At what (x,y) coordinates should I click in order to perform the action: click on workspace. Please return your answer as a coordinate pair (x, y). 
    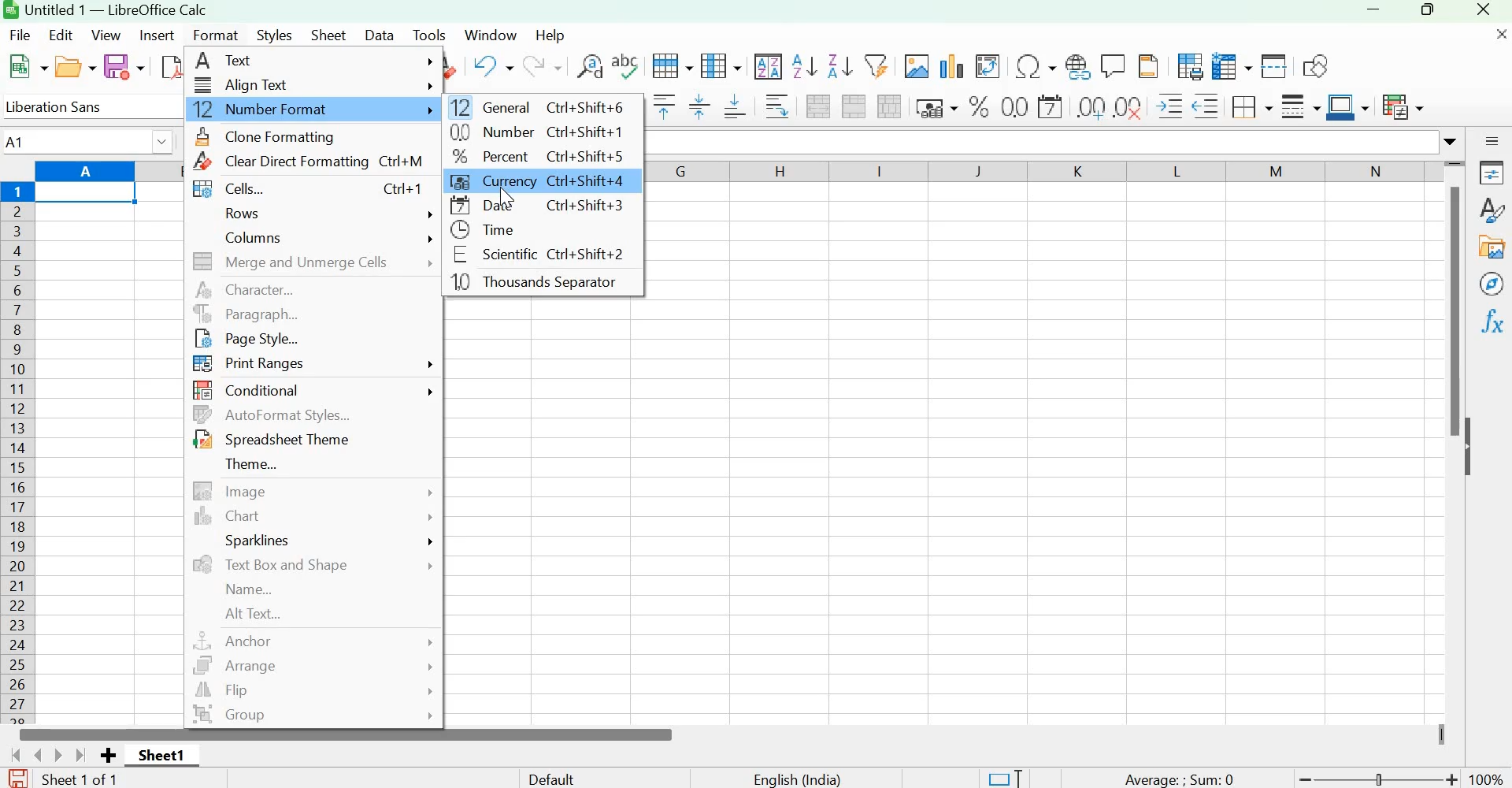
    Looking at the image, I should click on (548, 513).